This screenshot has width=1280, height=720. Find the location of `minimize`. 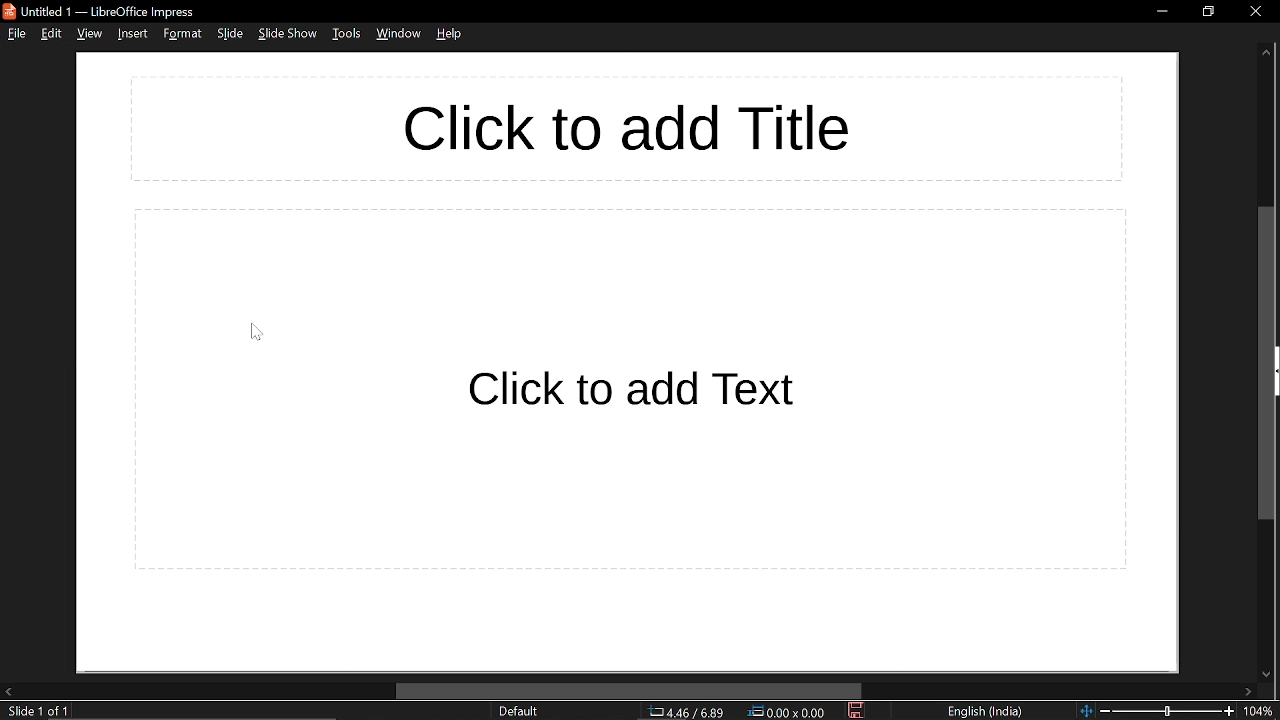

minimize is located at coordinates (1158, 13).